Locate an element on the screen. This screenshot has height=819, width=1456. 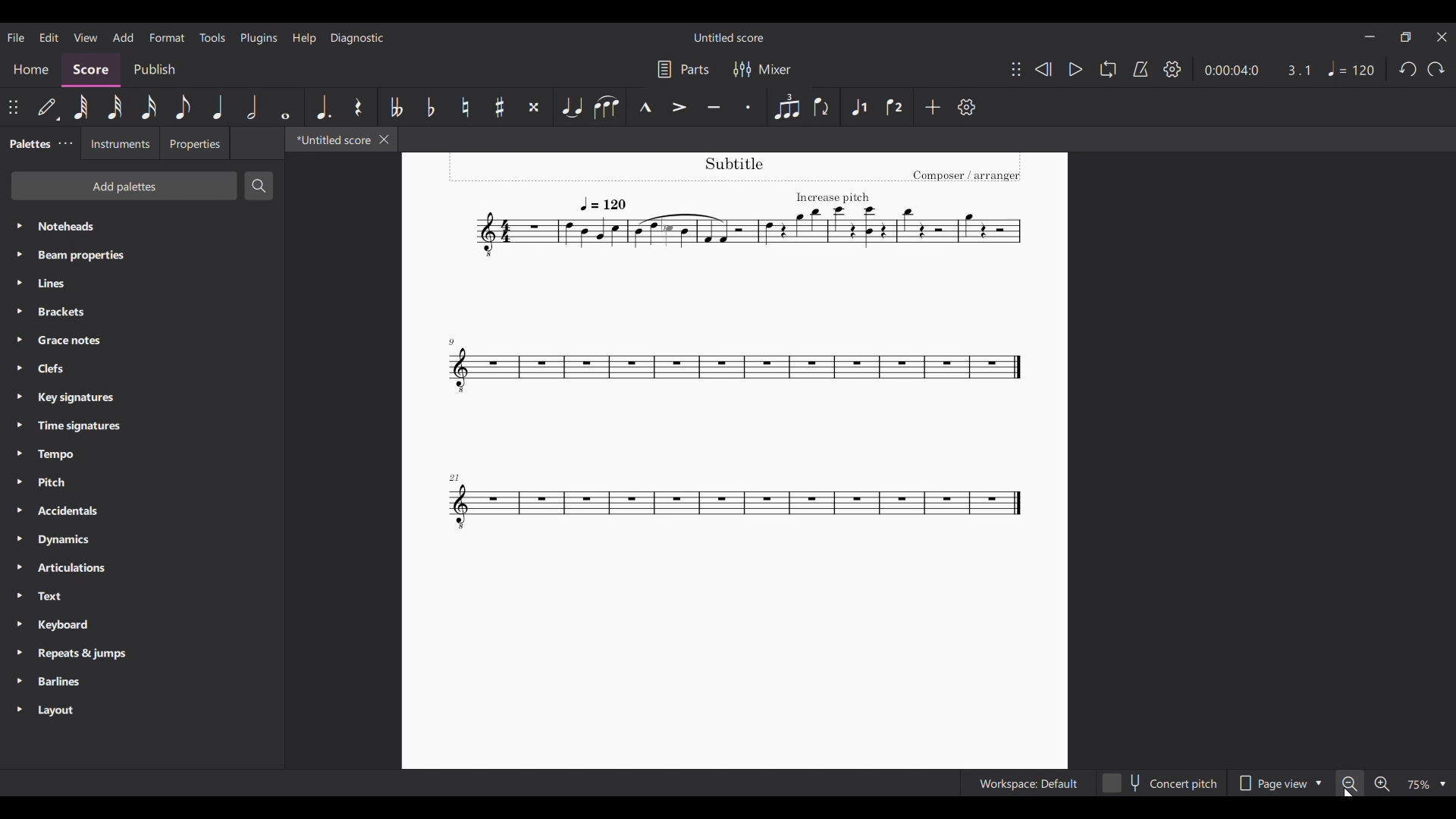
Brackets is located at coordinates (141, 312).